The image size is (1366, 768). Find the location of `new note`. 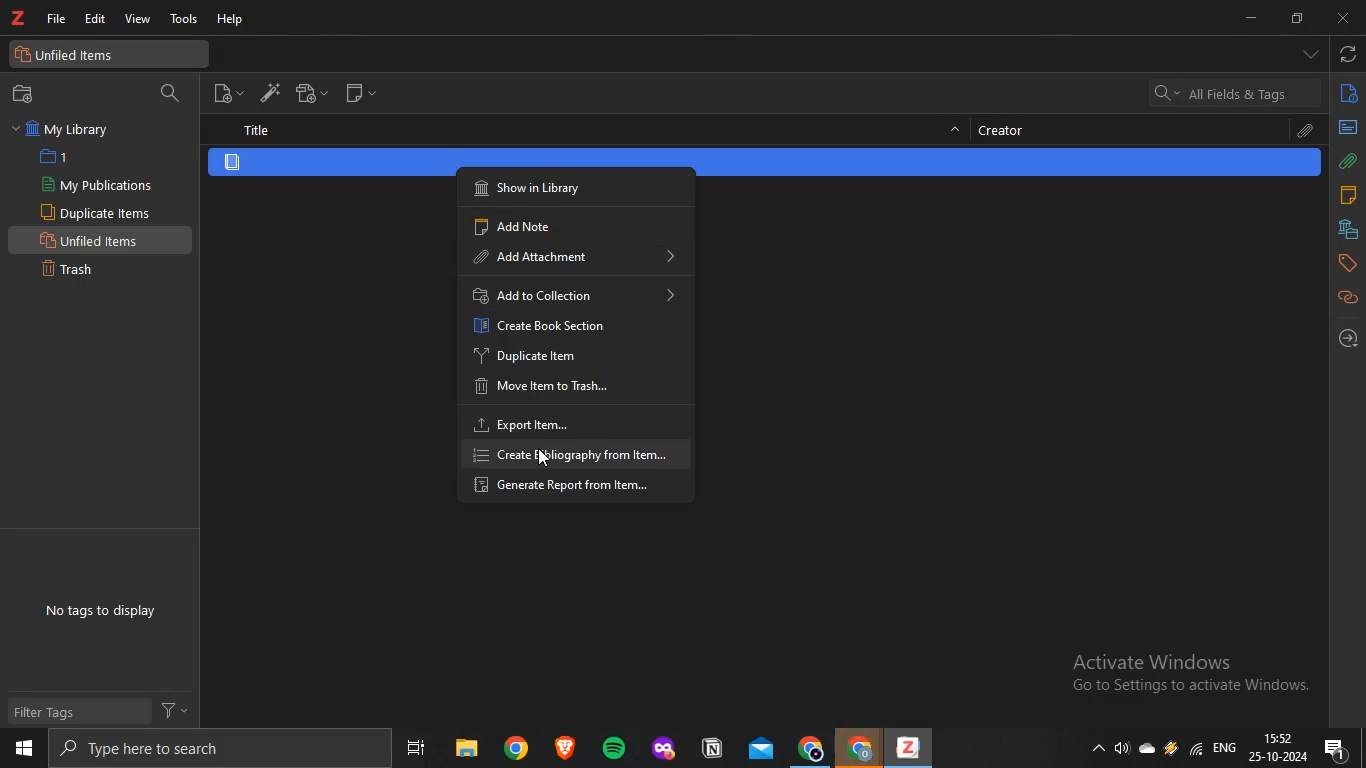

new note is located at coordinates (361, 92).